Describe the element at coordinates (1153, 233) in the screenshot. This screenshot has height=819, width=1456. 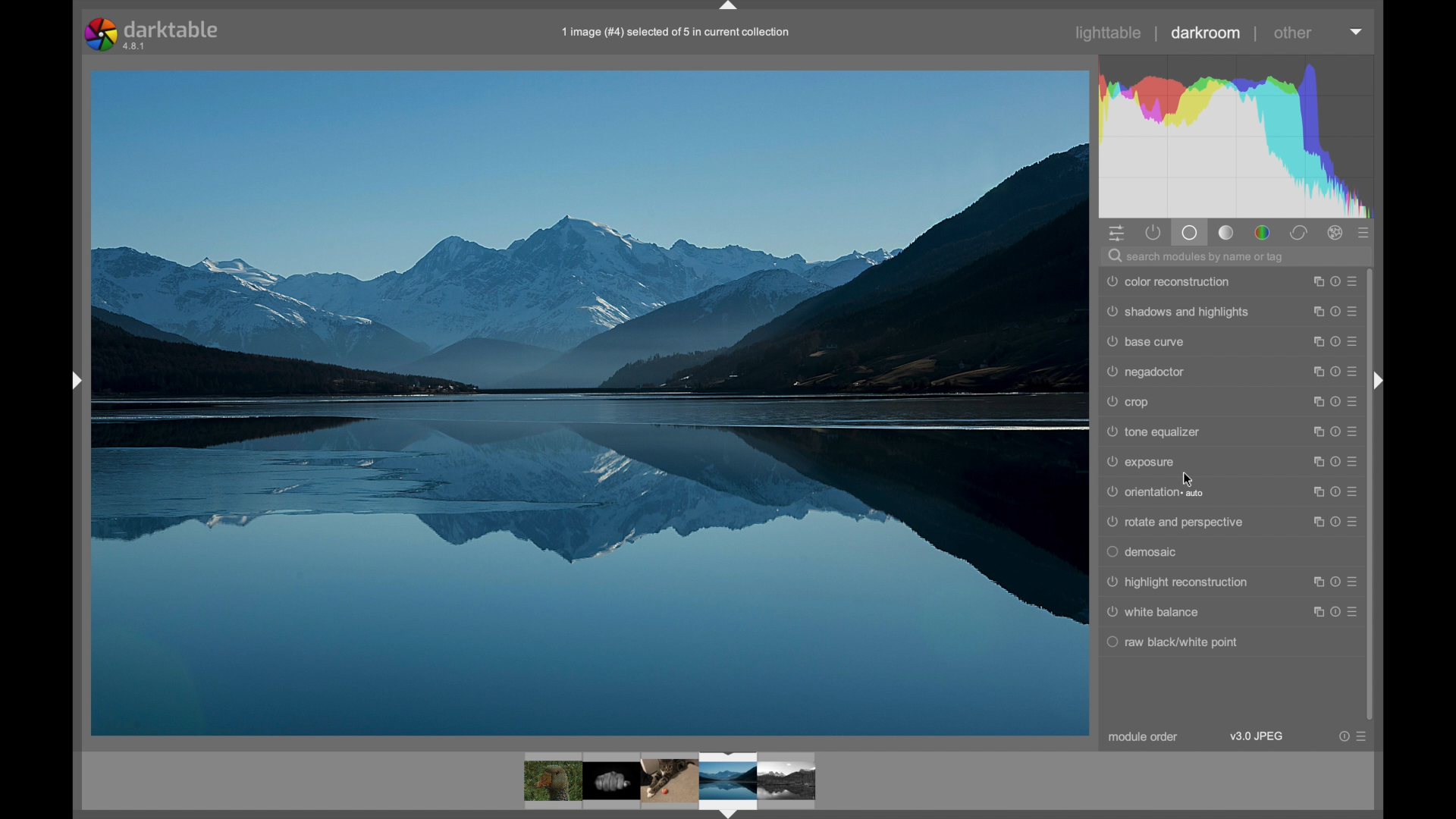
I see `show active modules only` at that location.